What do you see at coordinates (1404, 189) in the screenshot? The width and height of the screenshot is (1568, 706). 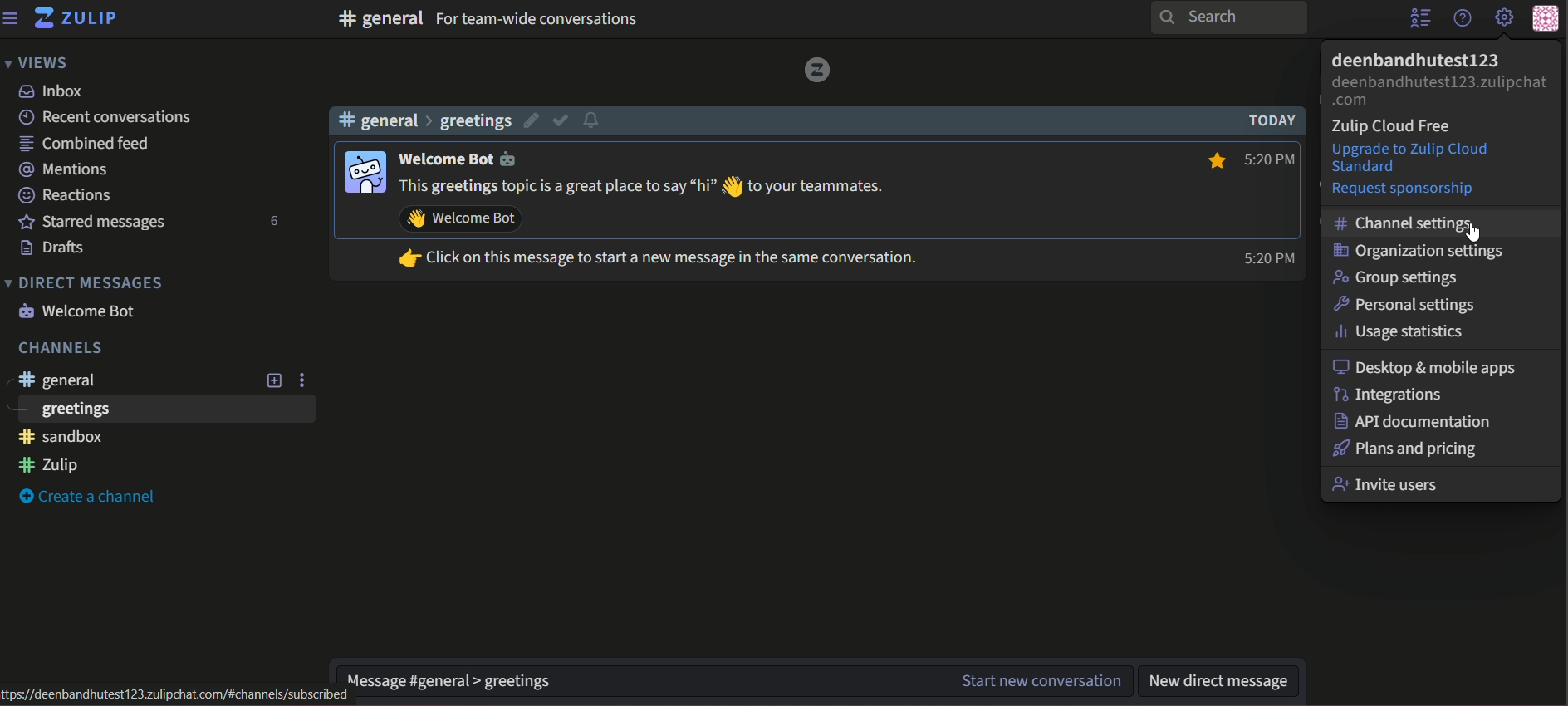 I see `request sponsorship` at bounding box center [1404, 189].